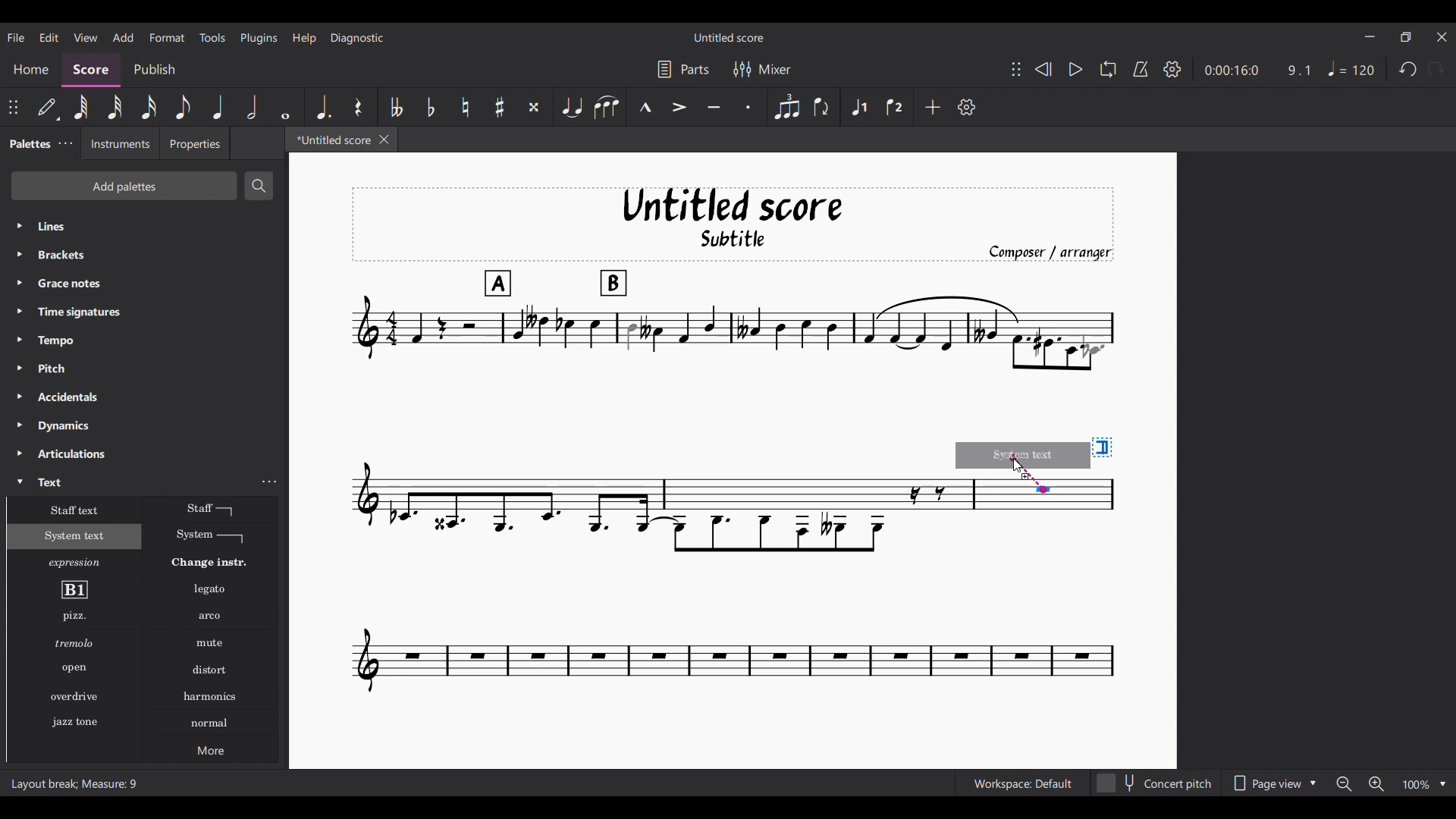 This screenshot has width=1456, height=819. What do you see at coordinates (27, 145) in the screenshot?
I see `Palettes` at bounding box center [27, 145].